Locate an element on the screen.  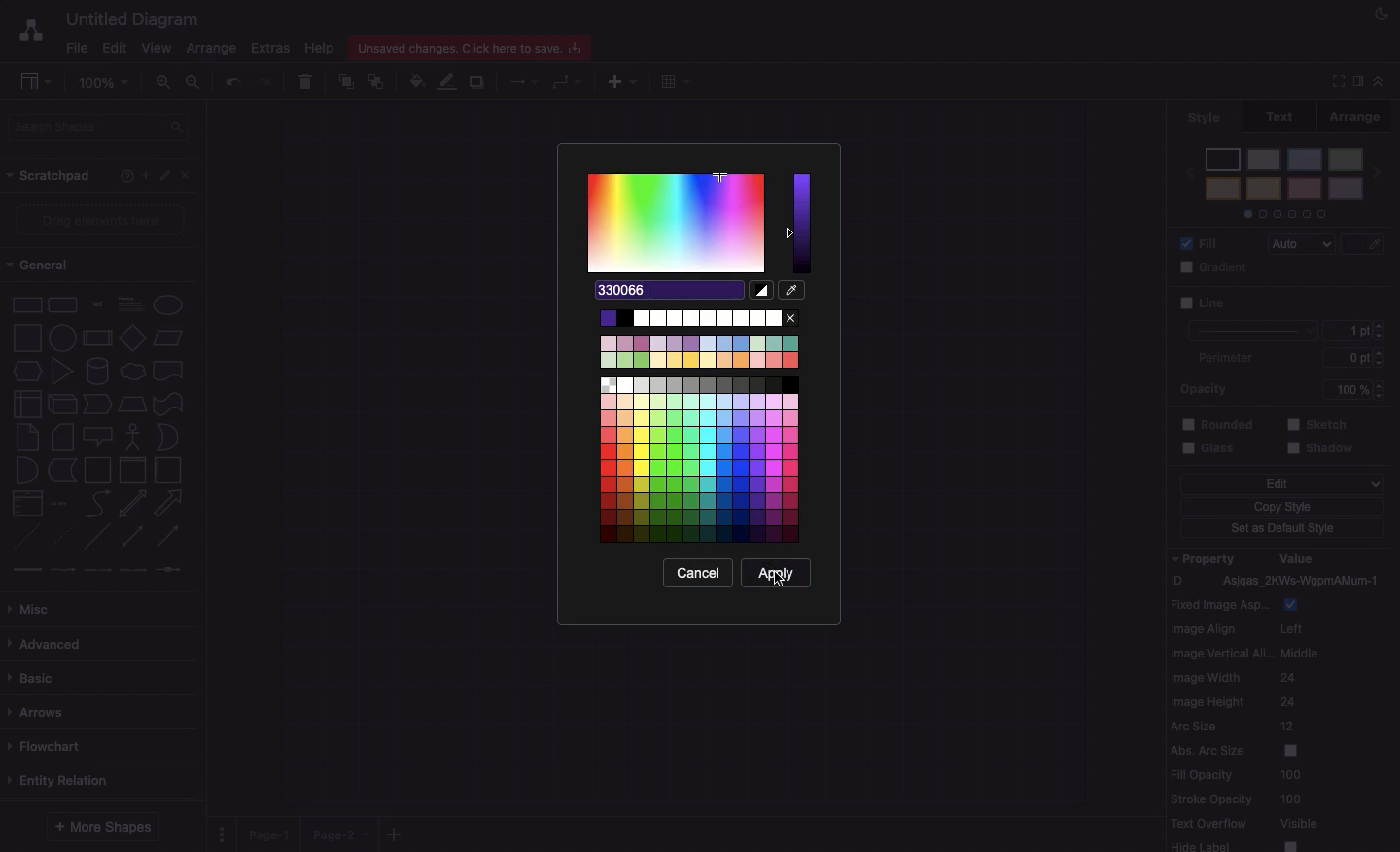
Add is located at coordinates (395, 834).